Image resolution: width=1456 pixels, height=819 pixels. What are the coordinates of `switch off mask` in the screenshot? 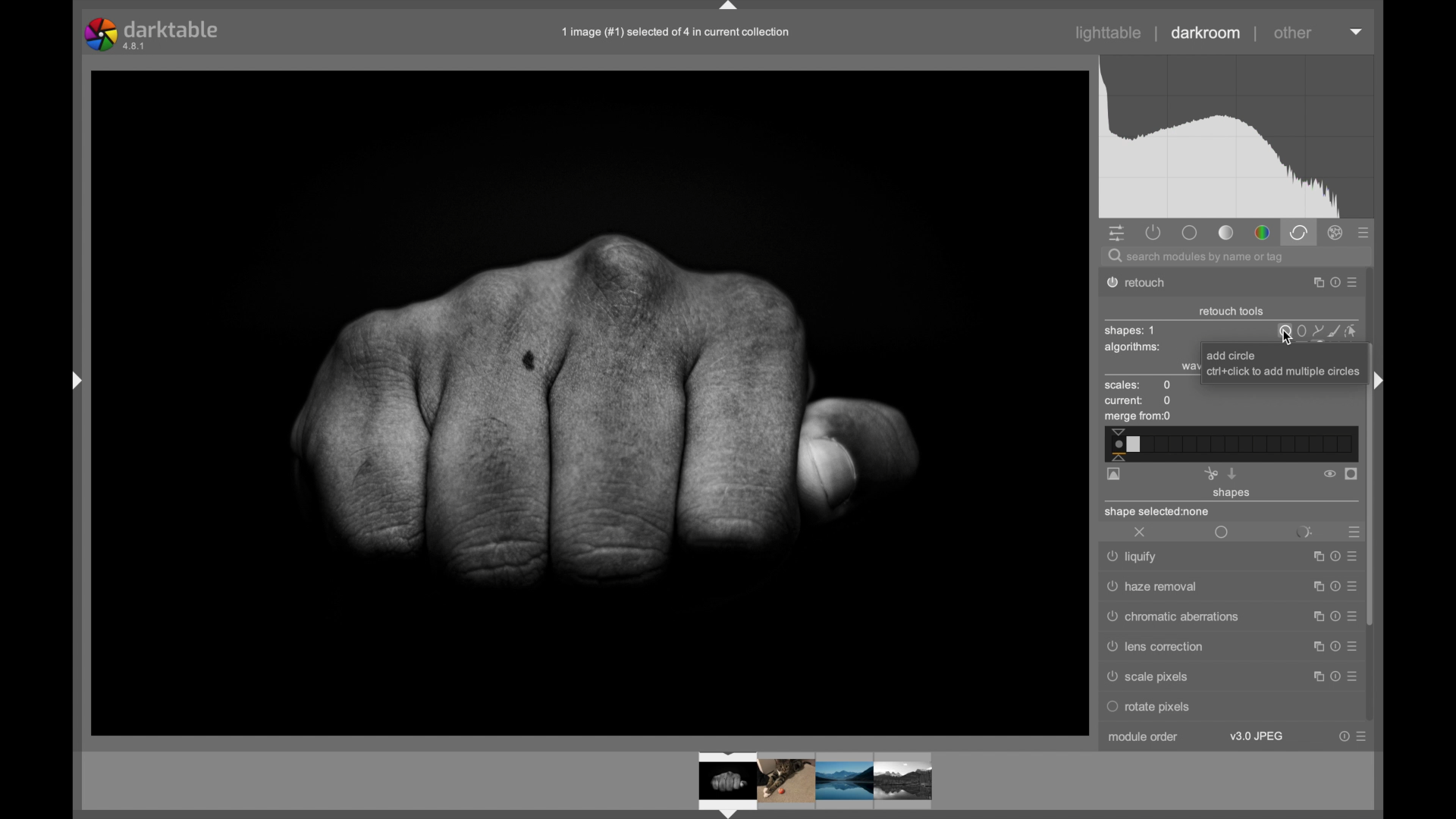 It's located at (1329, 474).